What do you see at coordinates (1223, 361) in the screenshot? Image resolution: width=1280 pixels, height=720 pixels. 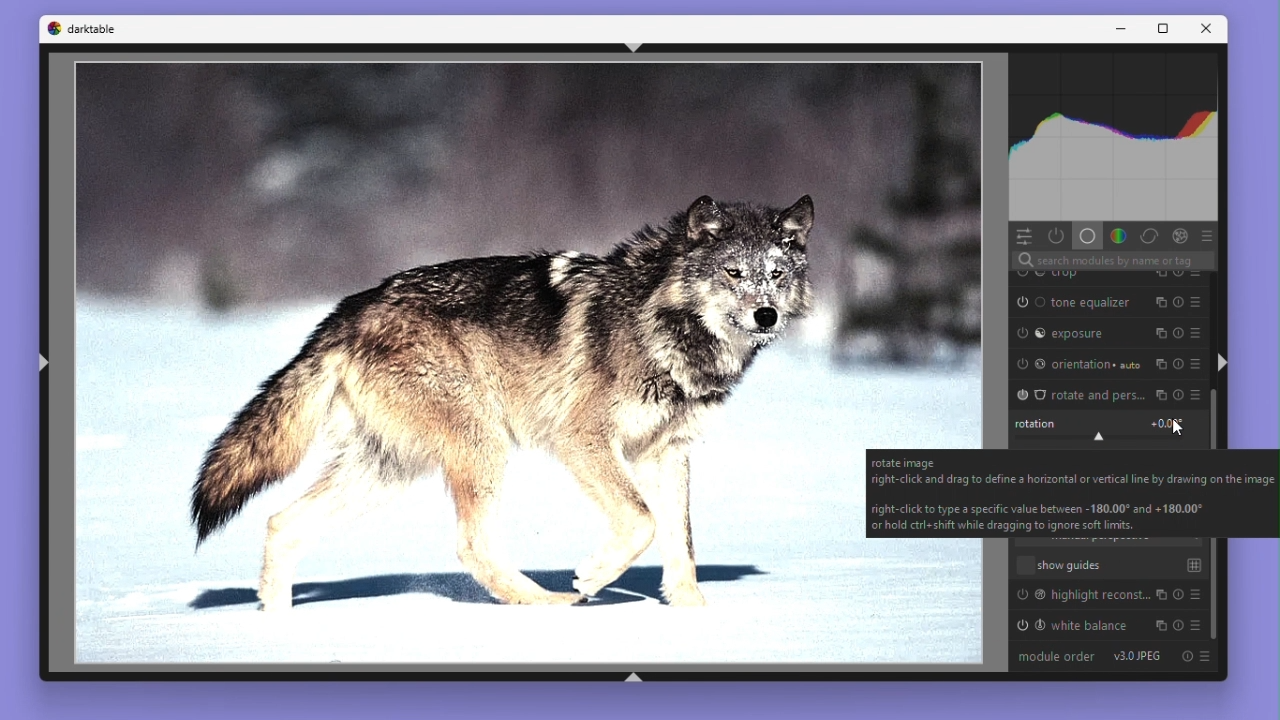 I see `Shift + ctrl + r` at bounding box center [1223, 361].